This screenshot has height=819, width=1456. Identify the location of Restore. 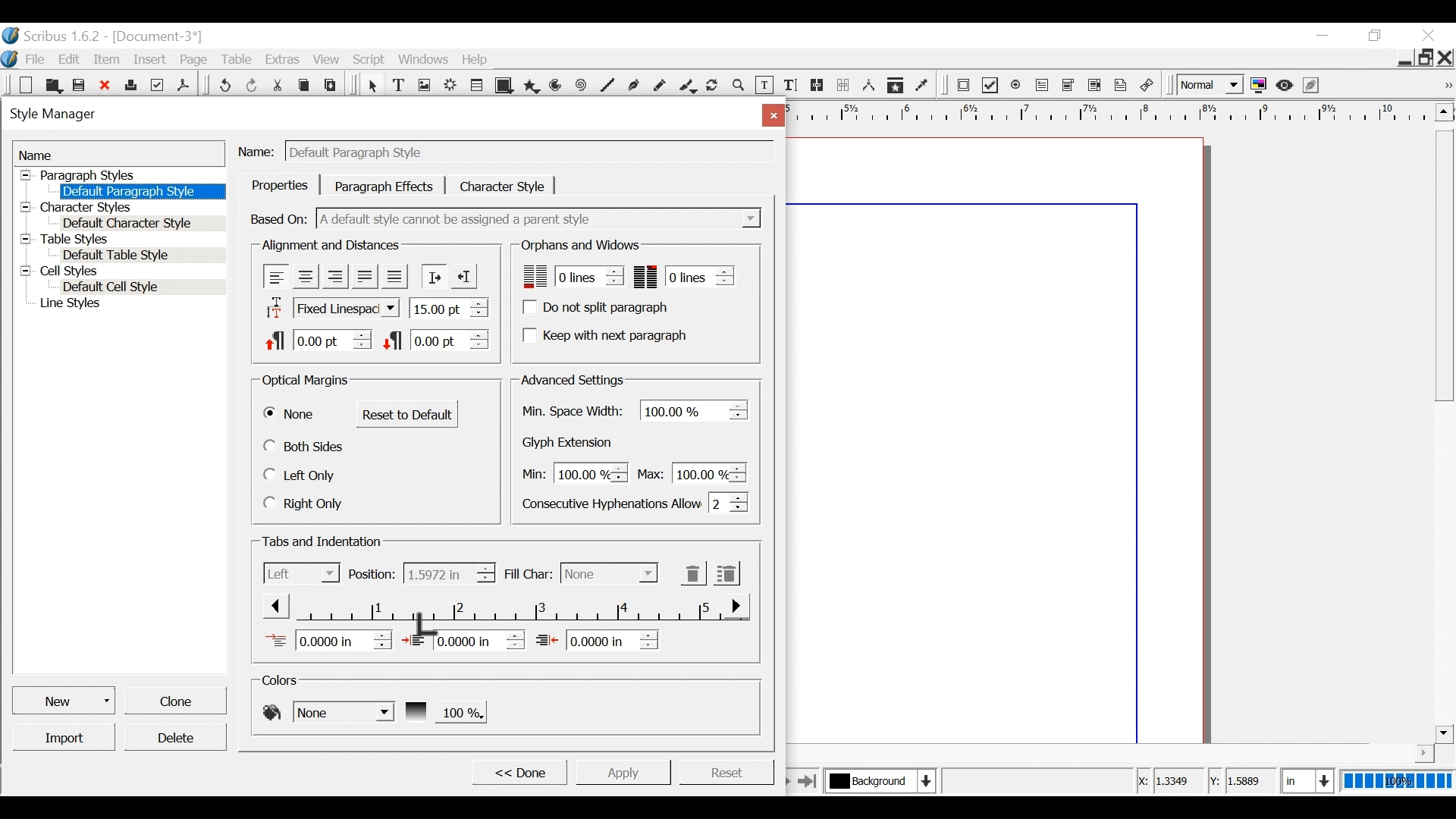
(1426, 56).